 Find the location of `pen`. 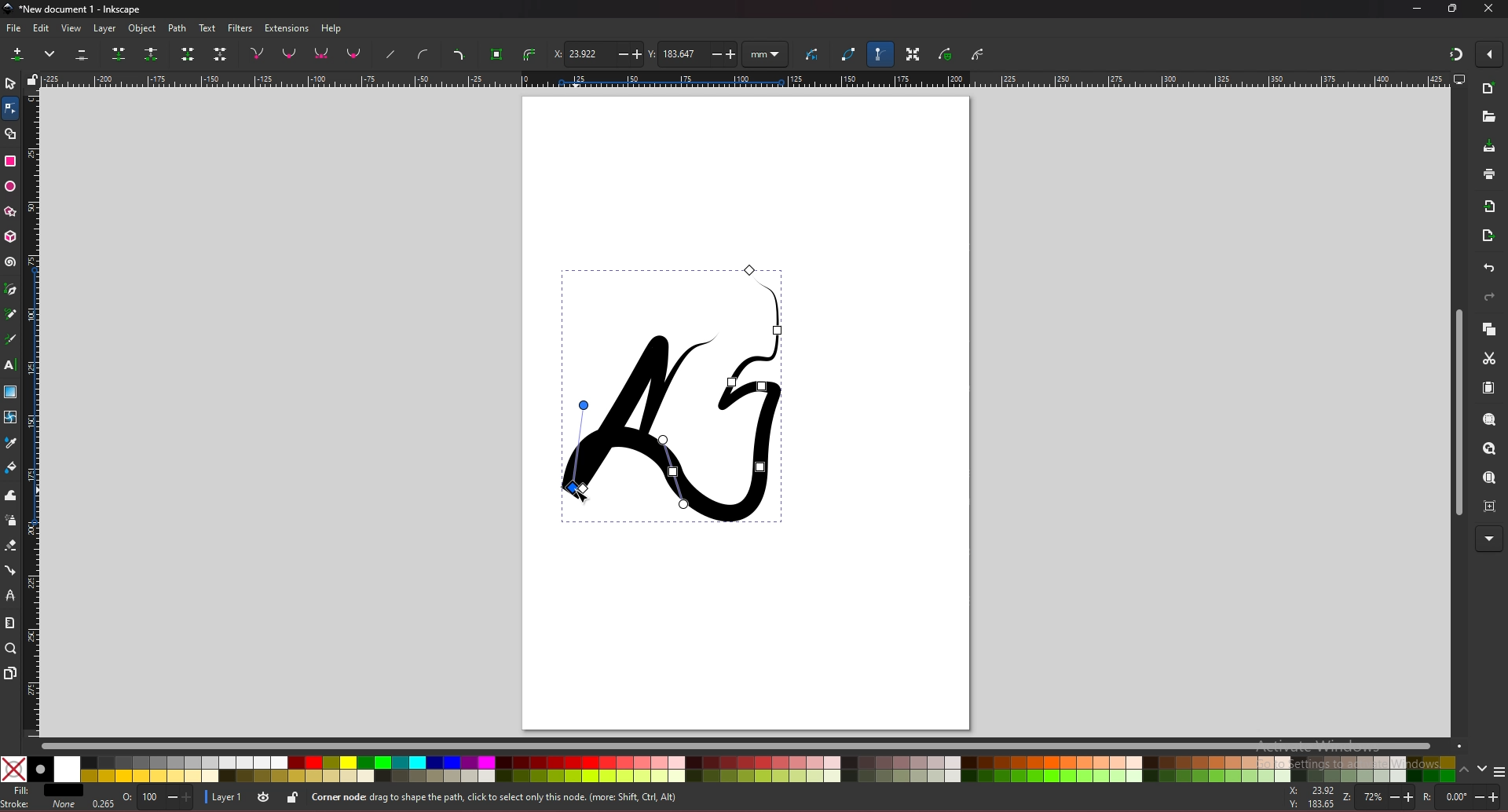

pen is located at coordinates (13, 288).